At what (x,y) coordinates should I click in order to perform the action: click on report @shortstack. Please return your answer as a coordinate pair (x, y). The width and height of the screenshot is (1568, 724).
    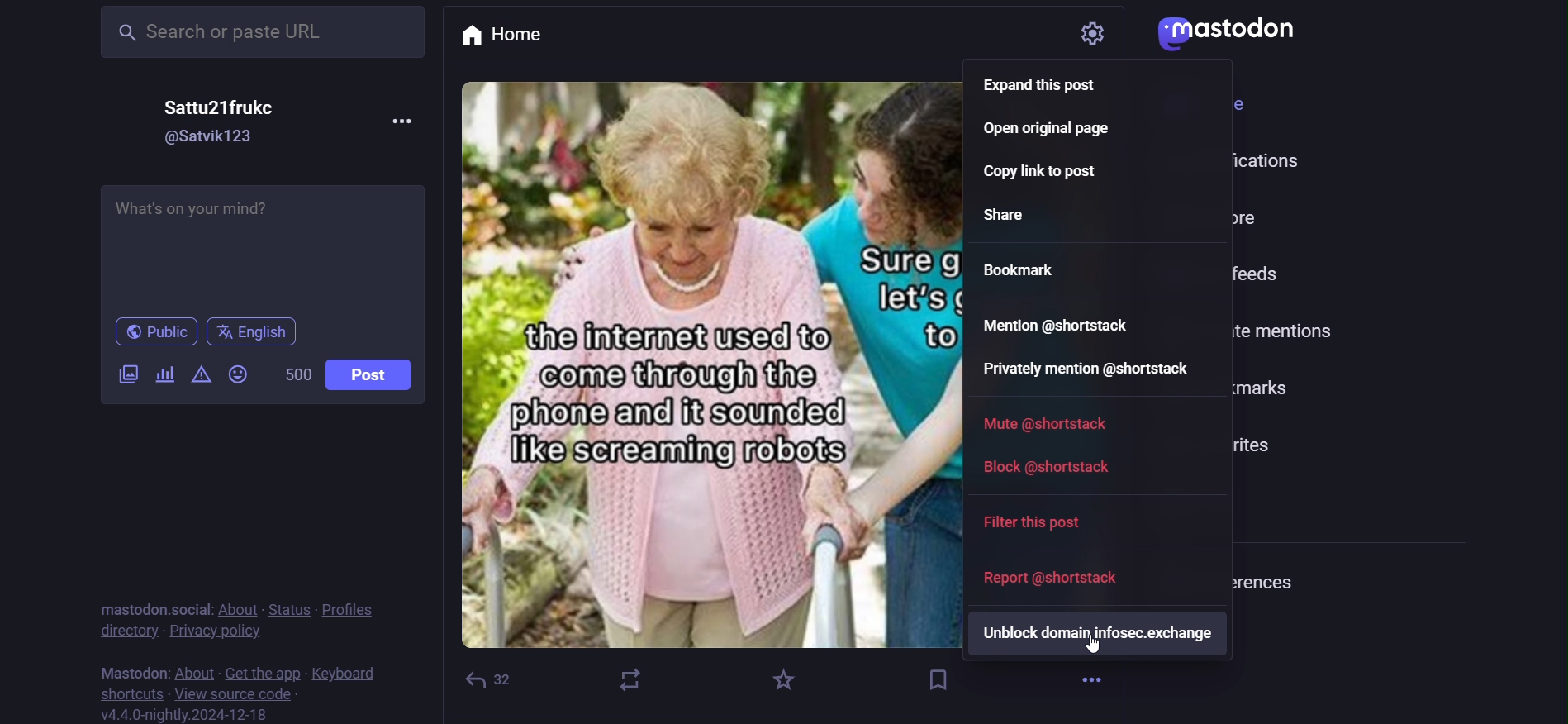
    Looking at the image, I should click on (1047, 579).